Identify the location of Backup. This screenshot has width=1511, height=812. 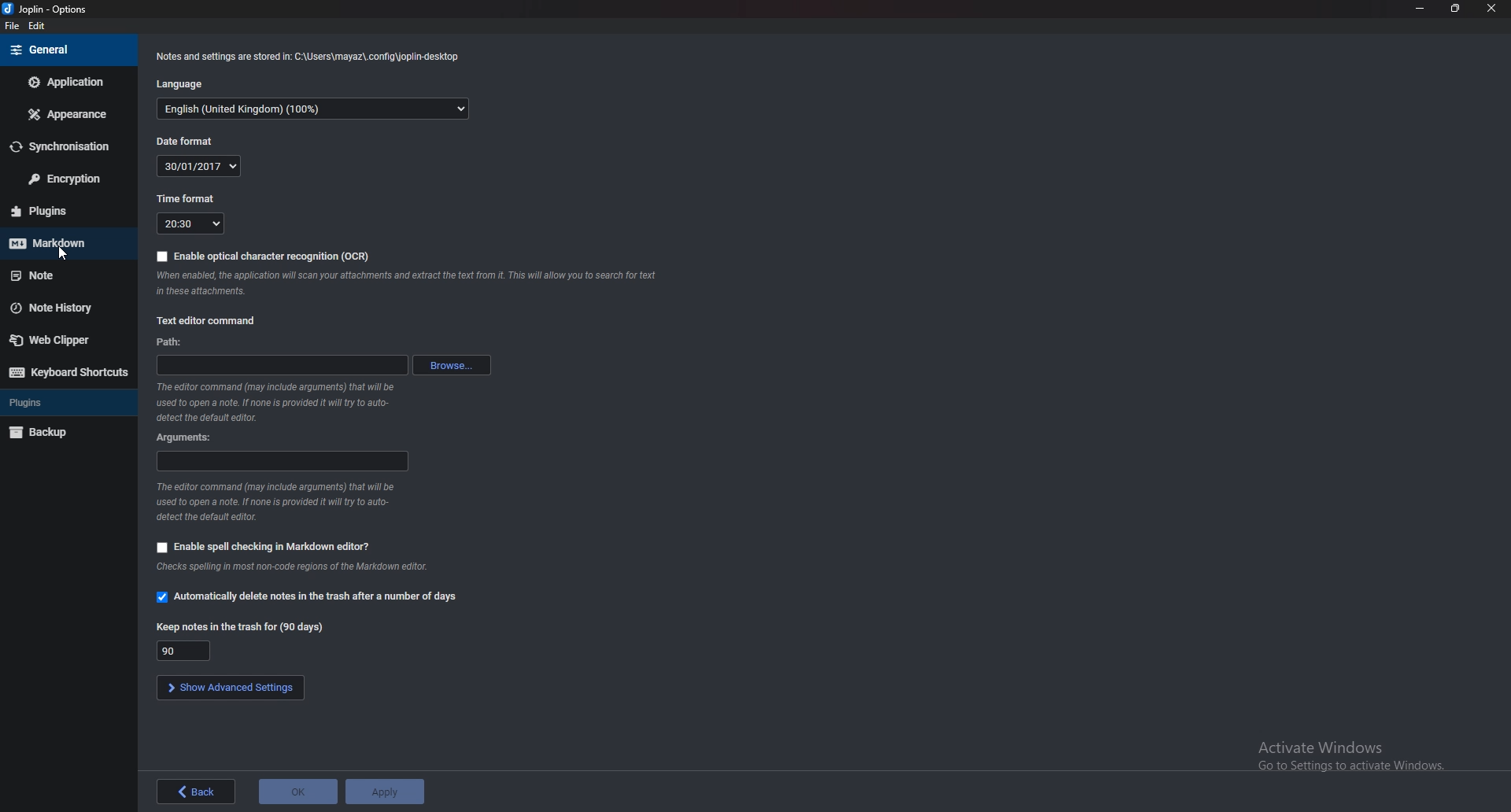
(64, 431).